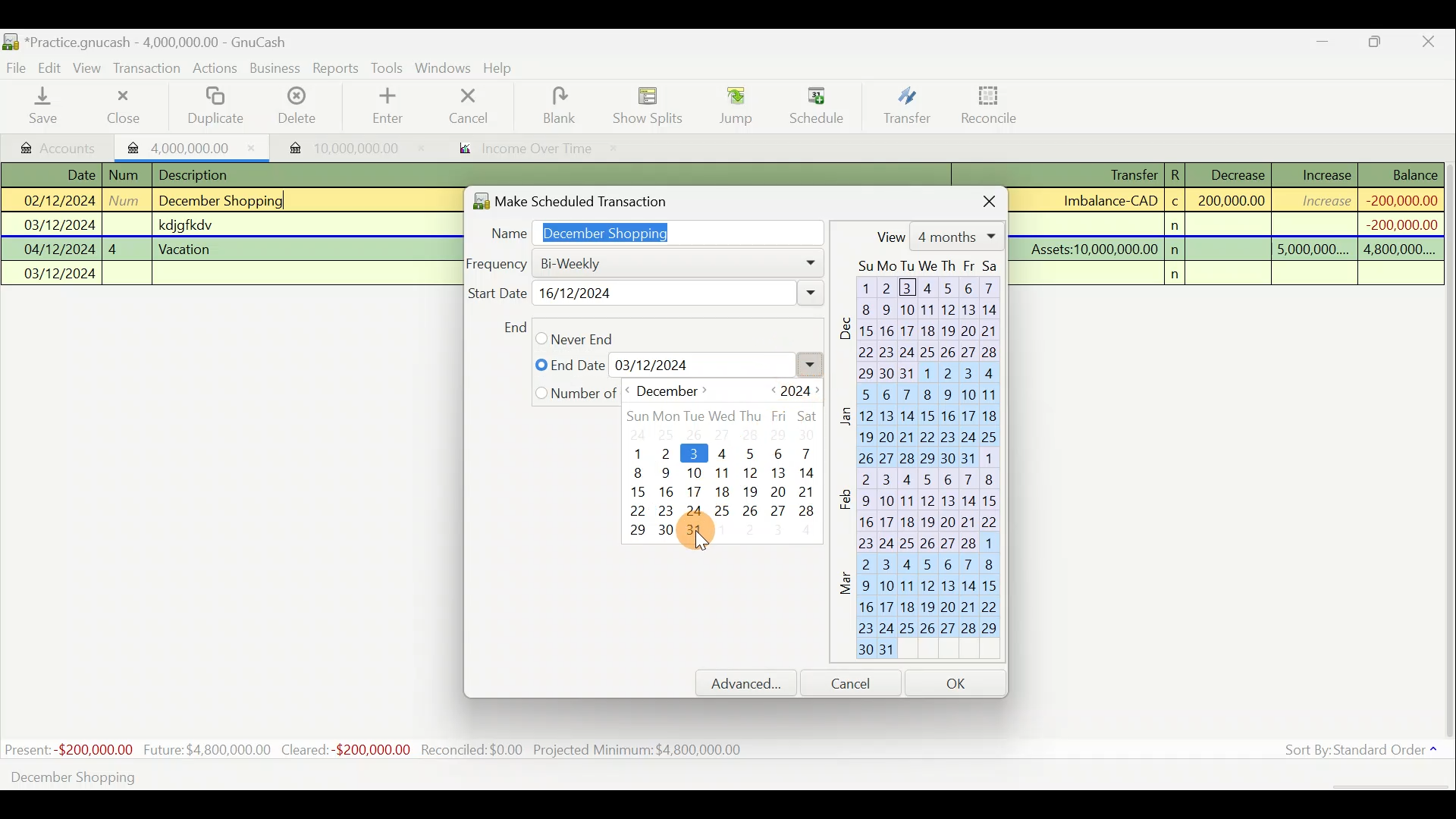  Describe the element at coordinates (376, 750) in the screenshot. I see `Statistics` at that location.